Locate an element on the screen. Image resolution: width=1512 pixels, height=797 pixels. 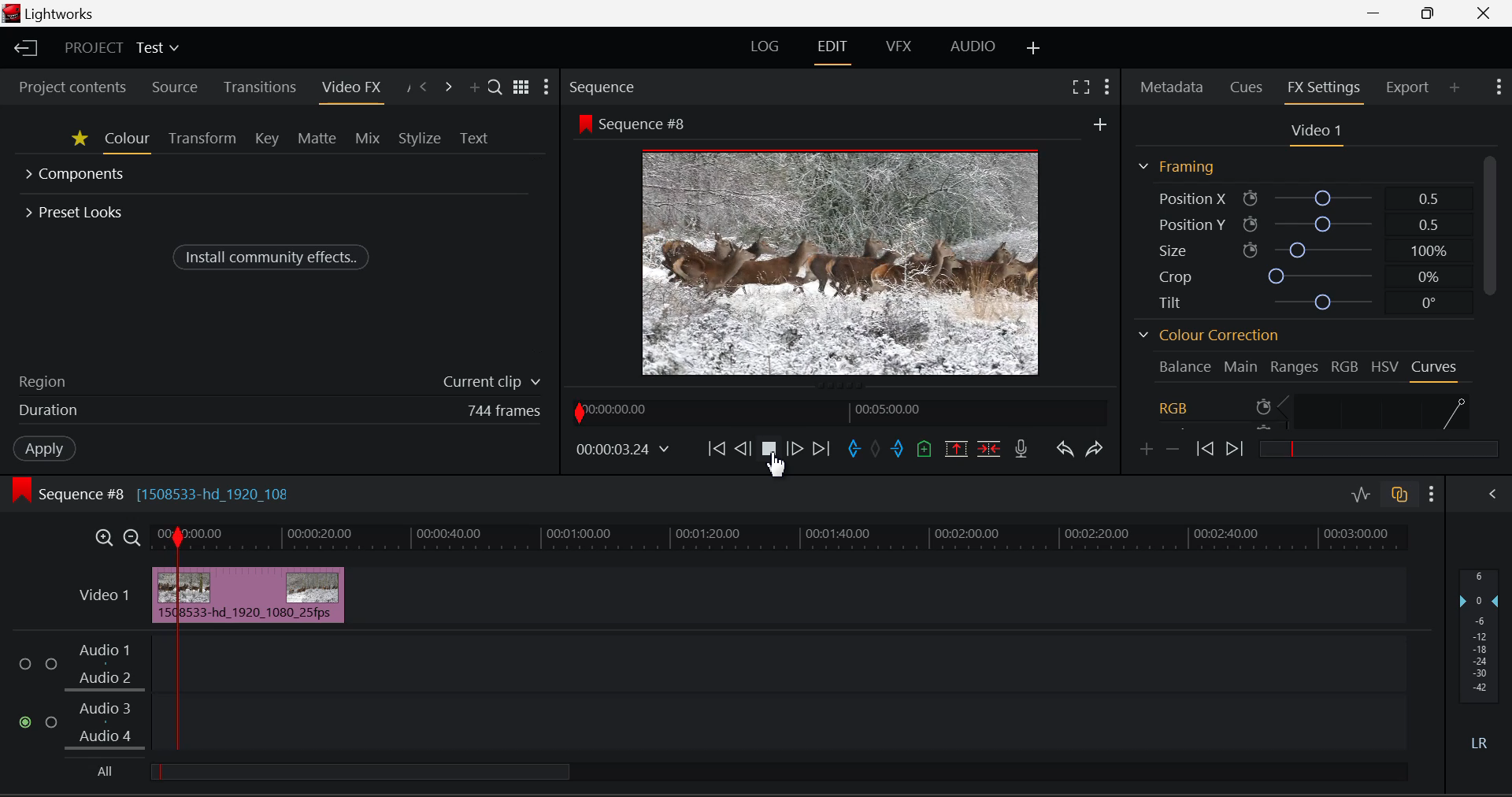
Matte is located at coordinates (317, 140).